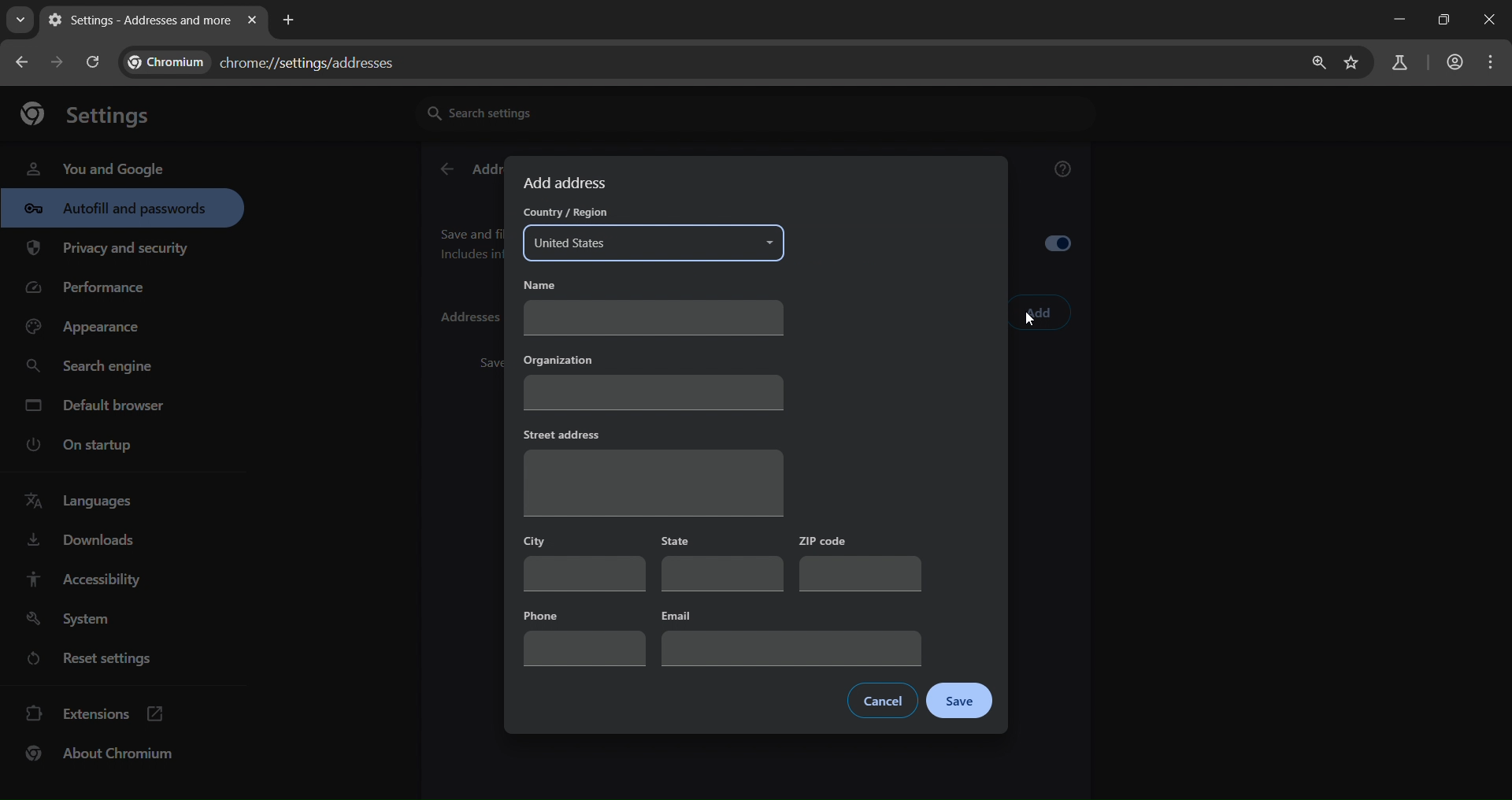 The height and width of the screenshot is (800, 1512). I want to click on system, so click(72, 620).